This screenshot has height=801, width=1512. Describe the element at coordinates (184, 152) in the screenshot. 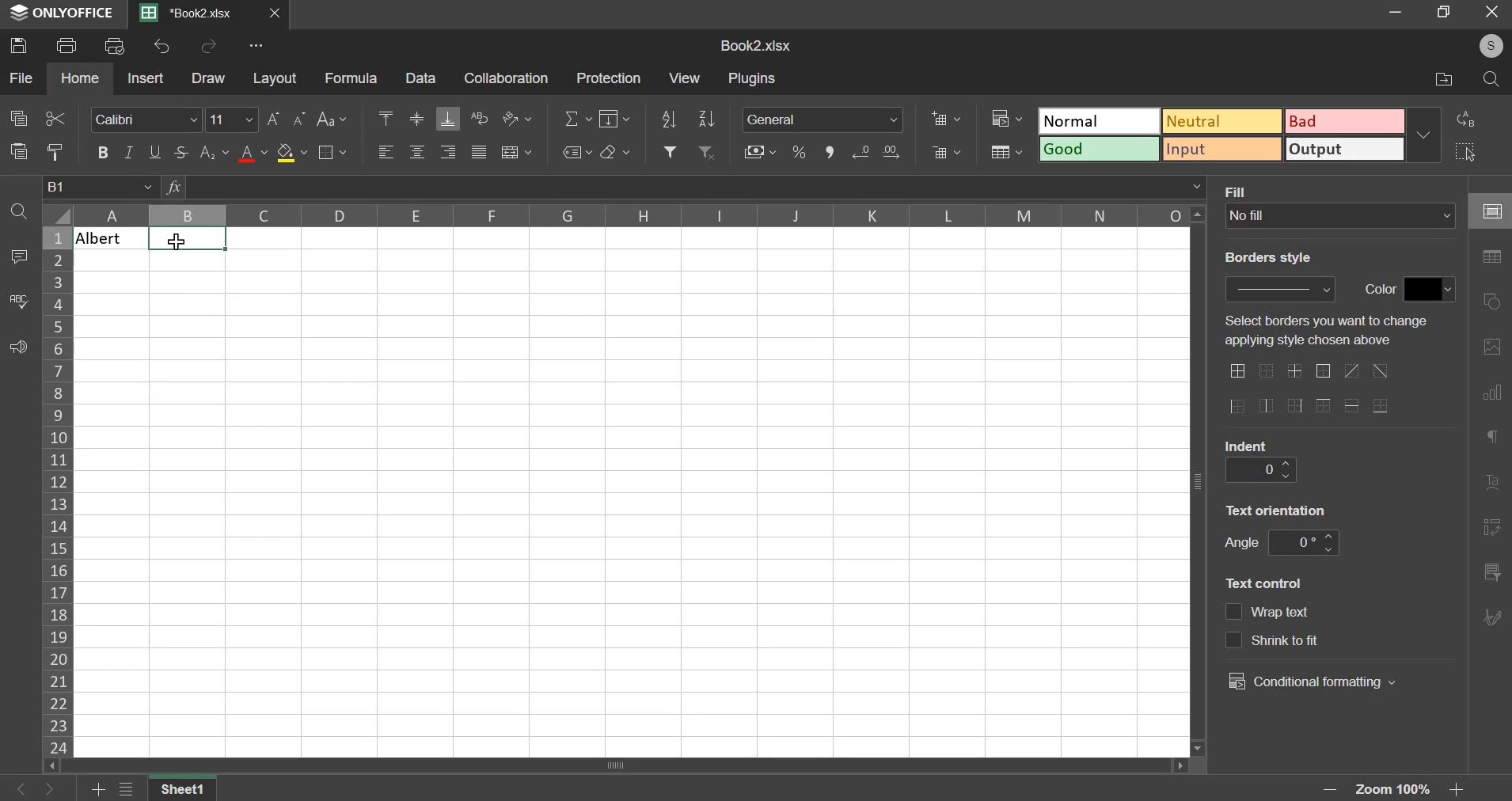

I see `strikethrough` at that location.